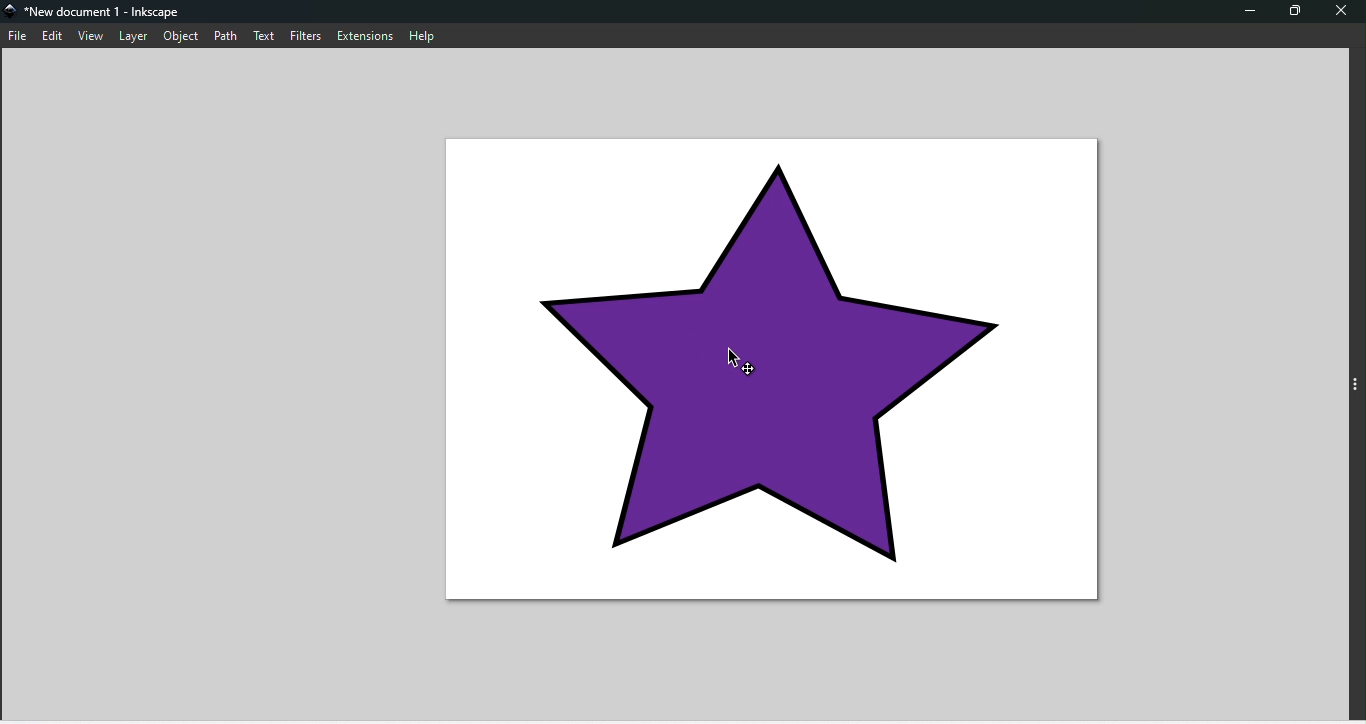  I want to click on *New document 1 - Inkscape, so click(105, 13).